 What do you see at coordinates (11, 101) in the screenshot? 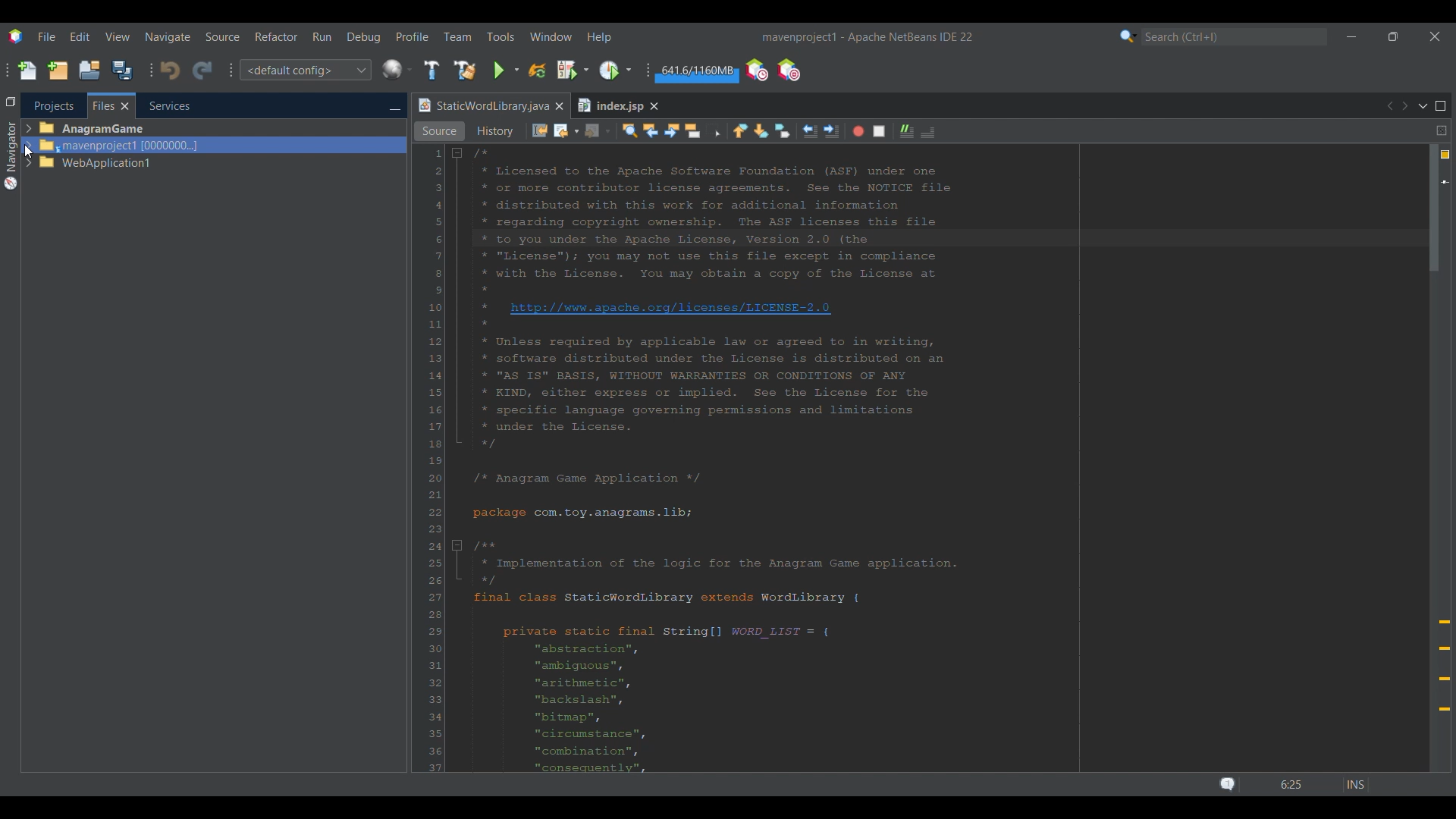
I see `Restore window group` at bounding box center [11, 101].